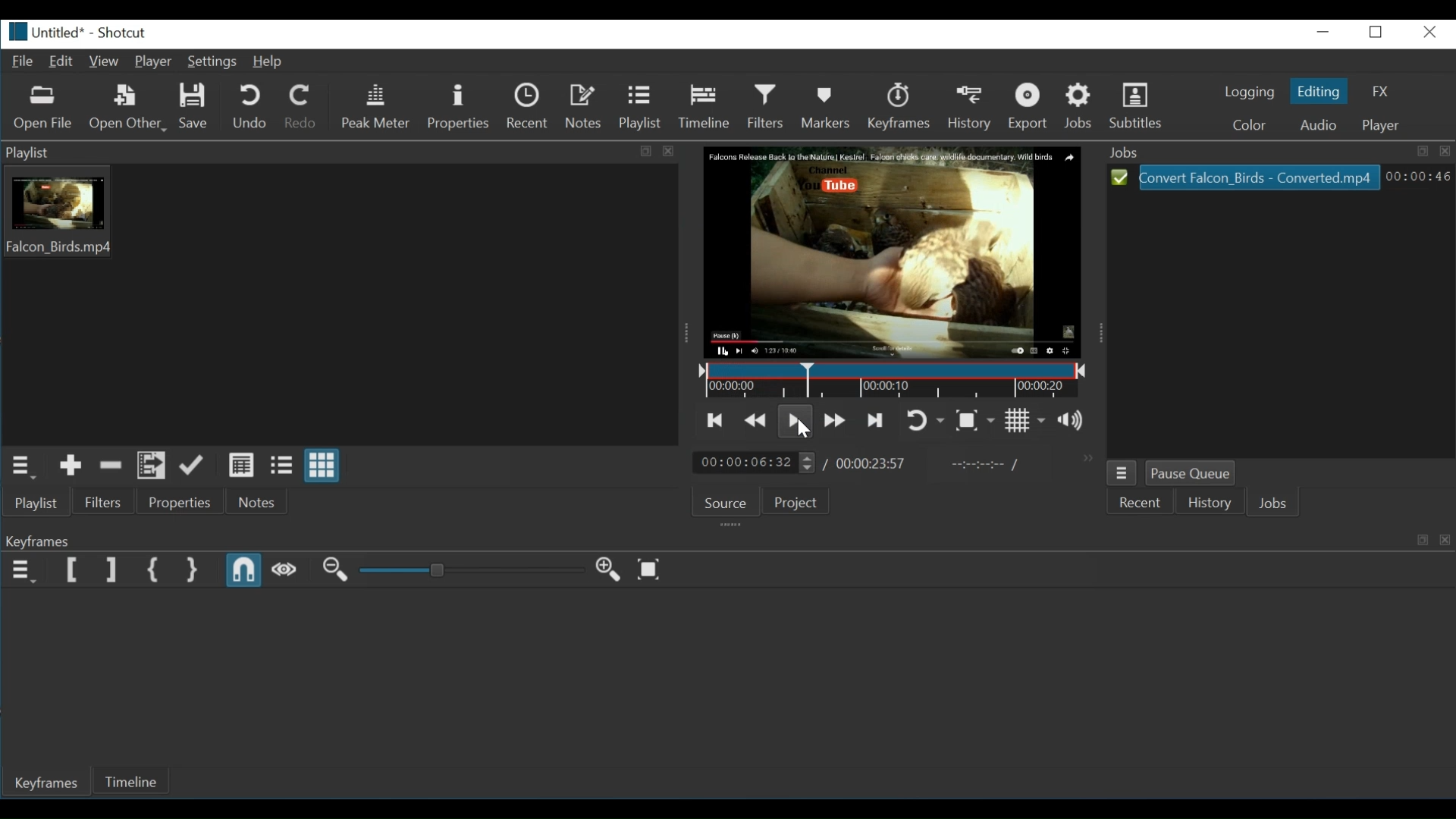 The height and width of the screenshot is (819, 1456). I want to click on Toggle play or pause (space), so click(793, 417).